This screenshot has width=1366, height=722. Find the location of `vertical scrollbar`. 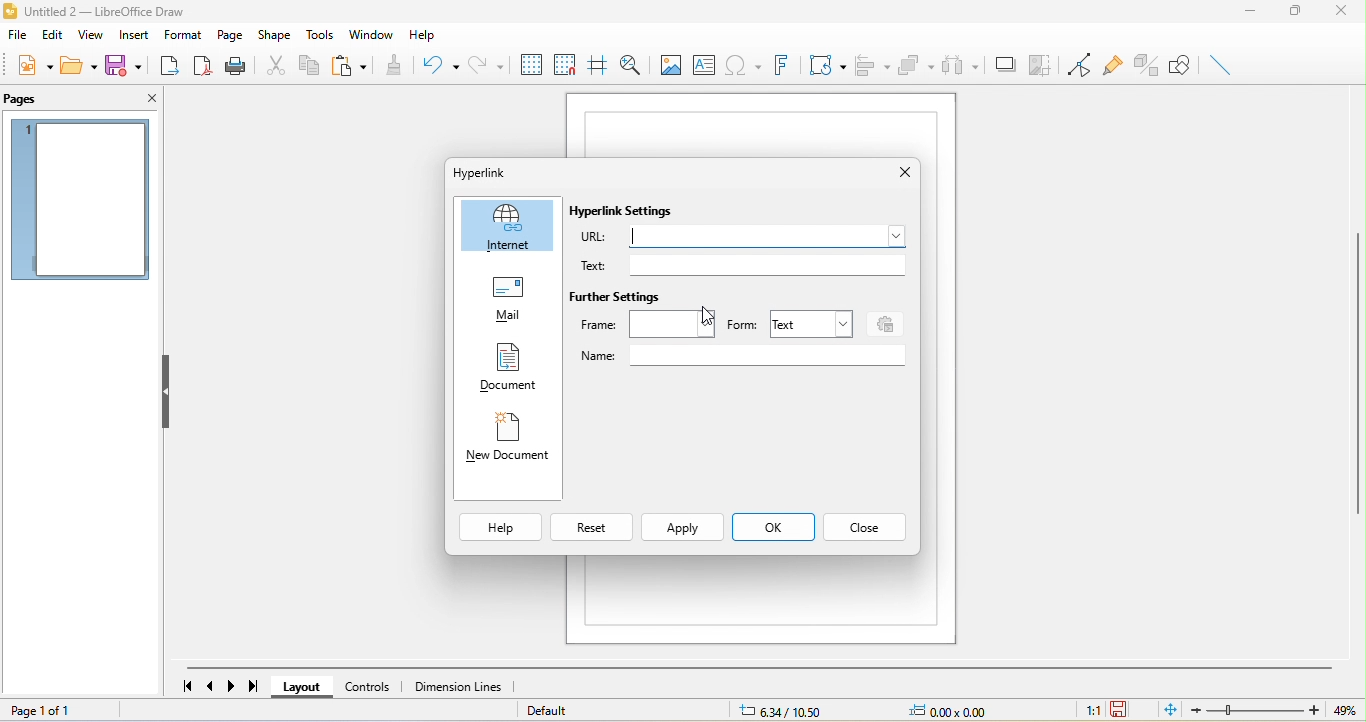

vertical scrollbar is located at coordinates (1357, 387).